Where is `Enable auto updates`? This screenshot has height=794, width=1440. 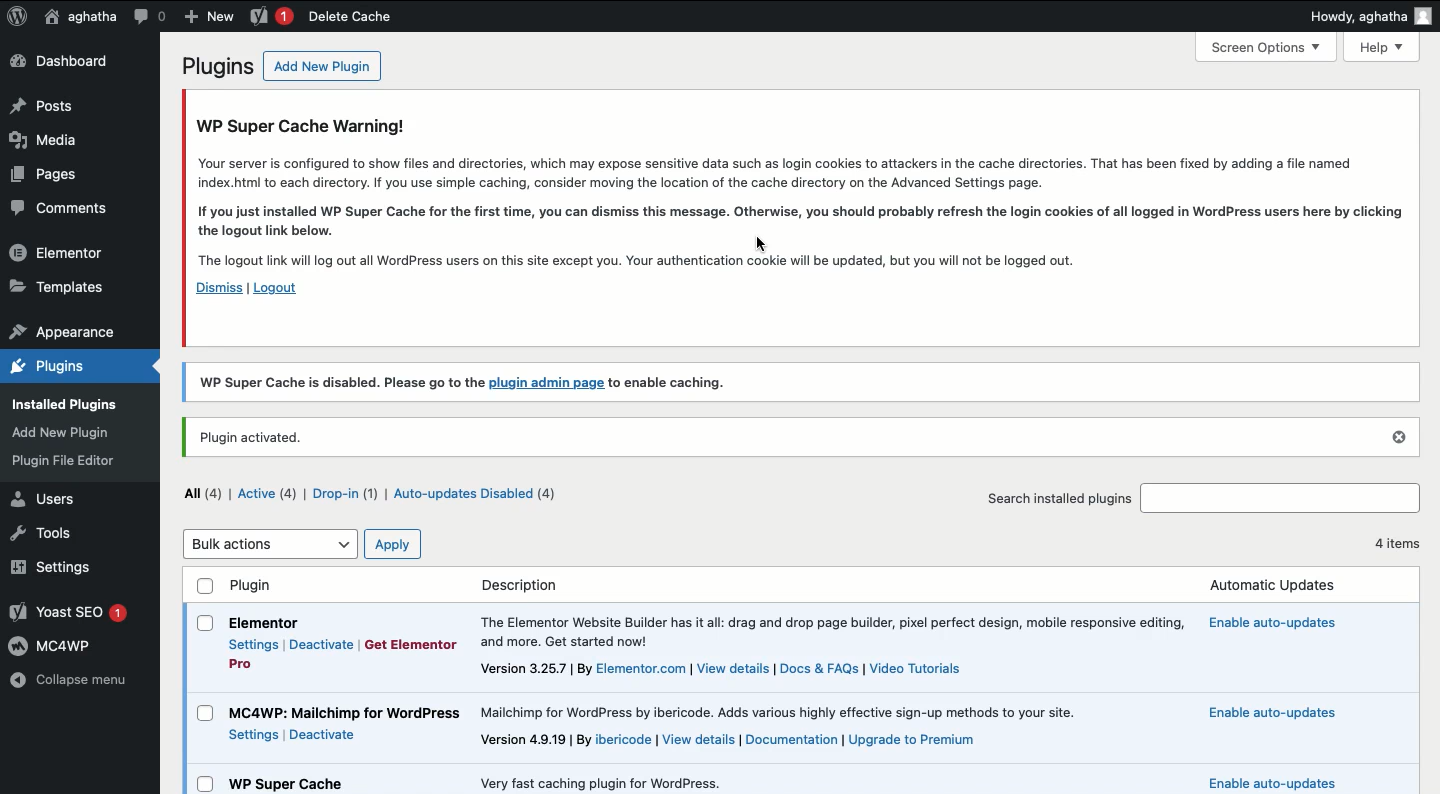
Enable auto updates is located at coordinates (1296, 779).